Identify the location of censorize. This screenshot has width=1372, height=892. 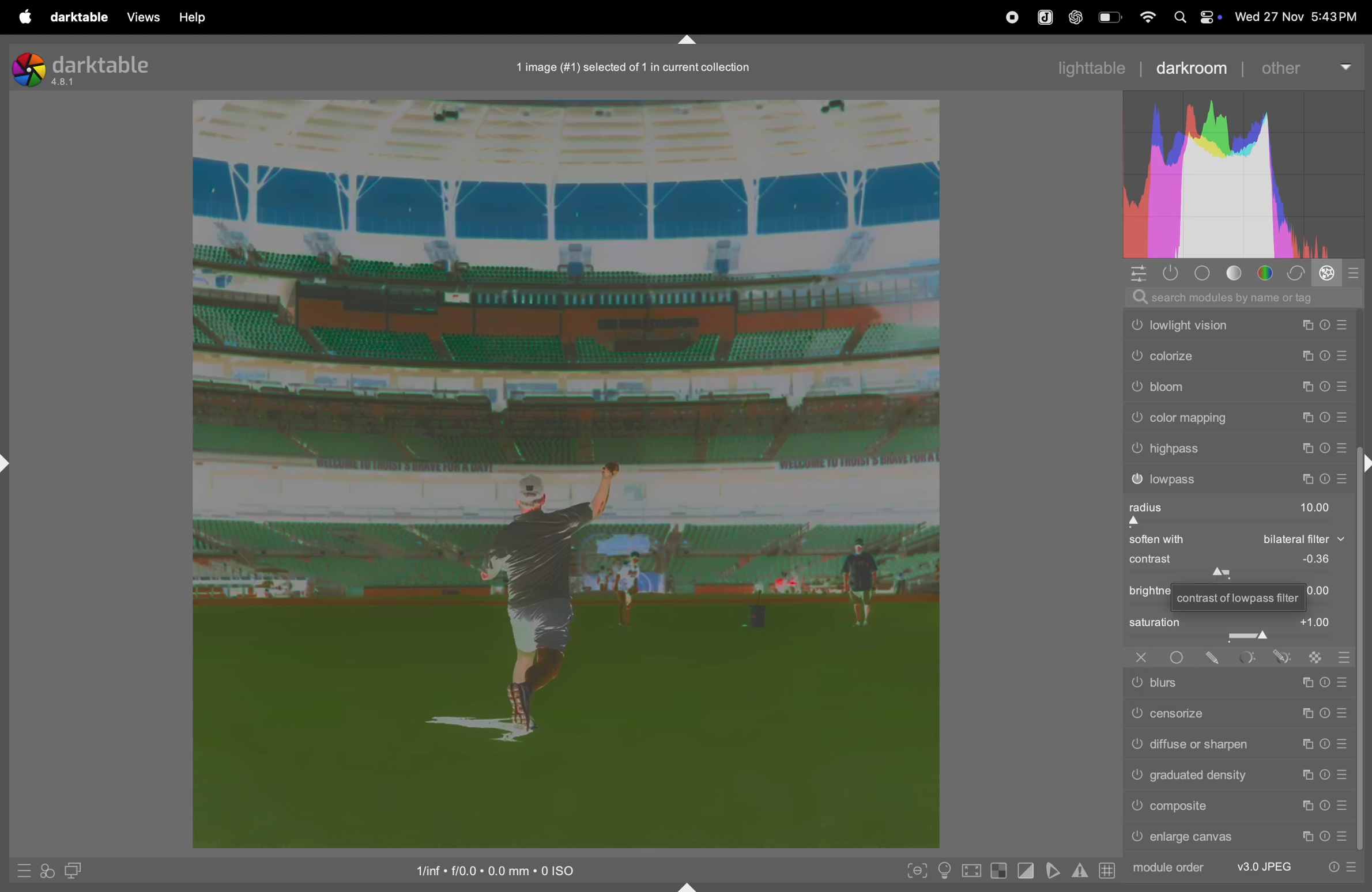
(1239, 712).